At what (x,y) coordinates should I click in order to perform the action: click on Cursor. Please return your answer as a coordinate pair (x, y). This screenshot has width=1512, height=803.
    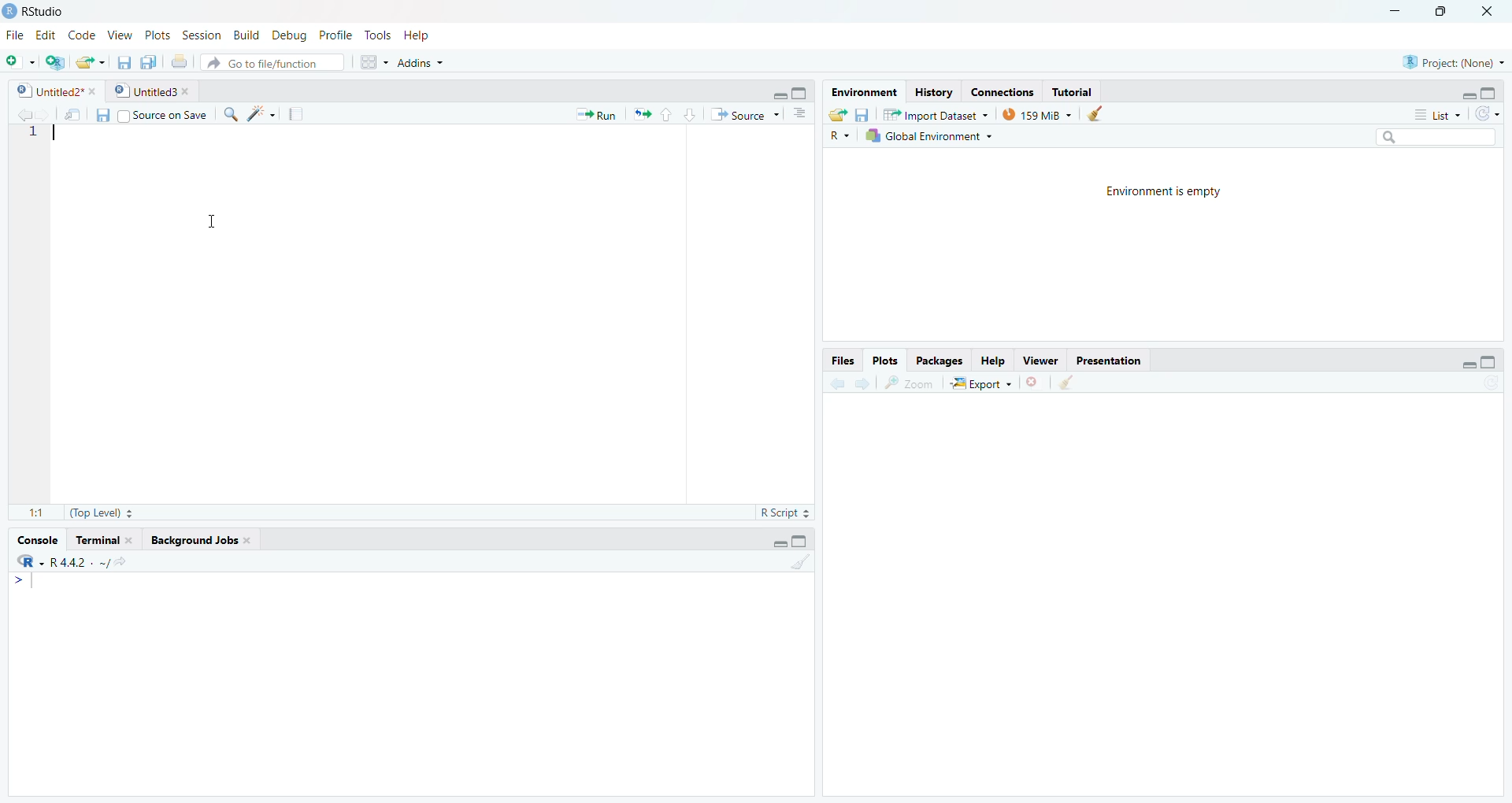
    Looking at the image, I should click on (214, 224).